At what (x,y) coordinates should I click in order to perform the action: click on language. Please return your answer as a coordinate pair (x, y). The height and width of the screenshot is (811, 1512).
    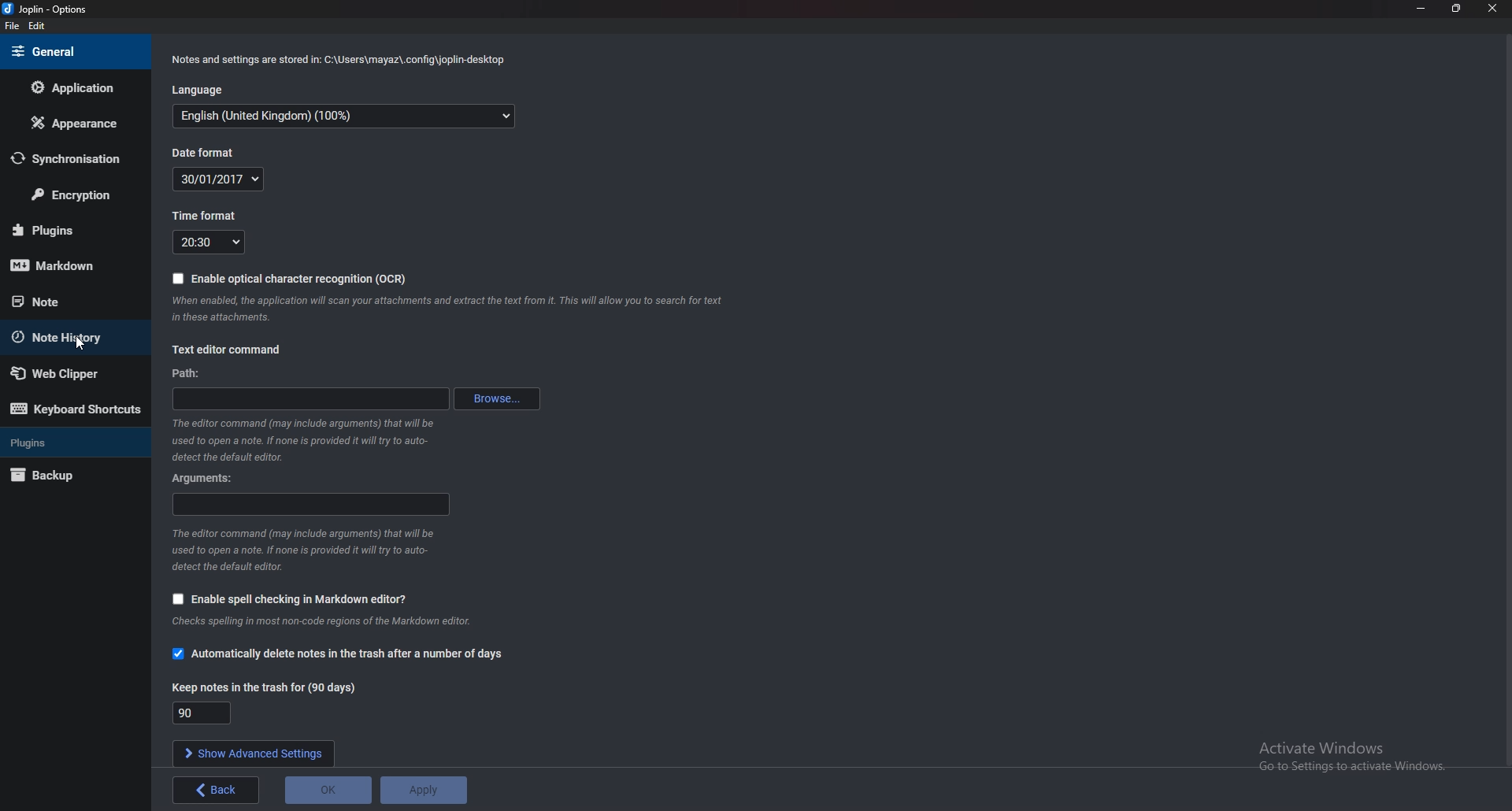
    Looking at the image, I should click on (198, 91).